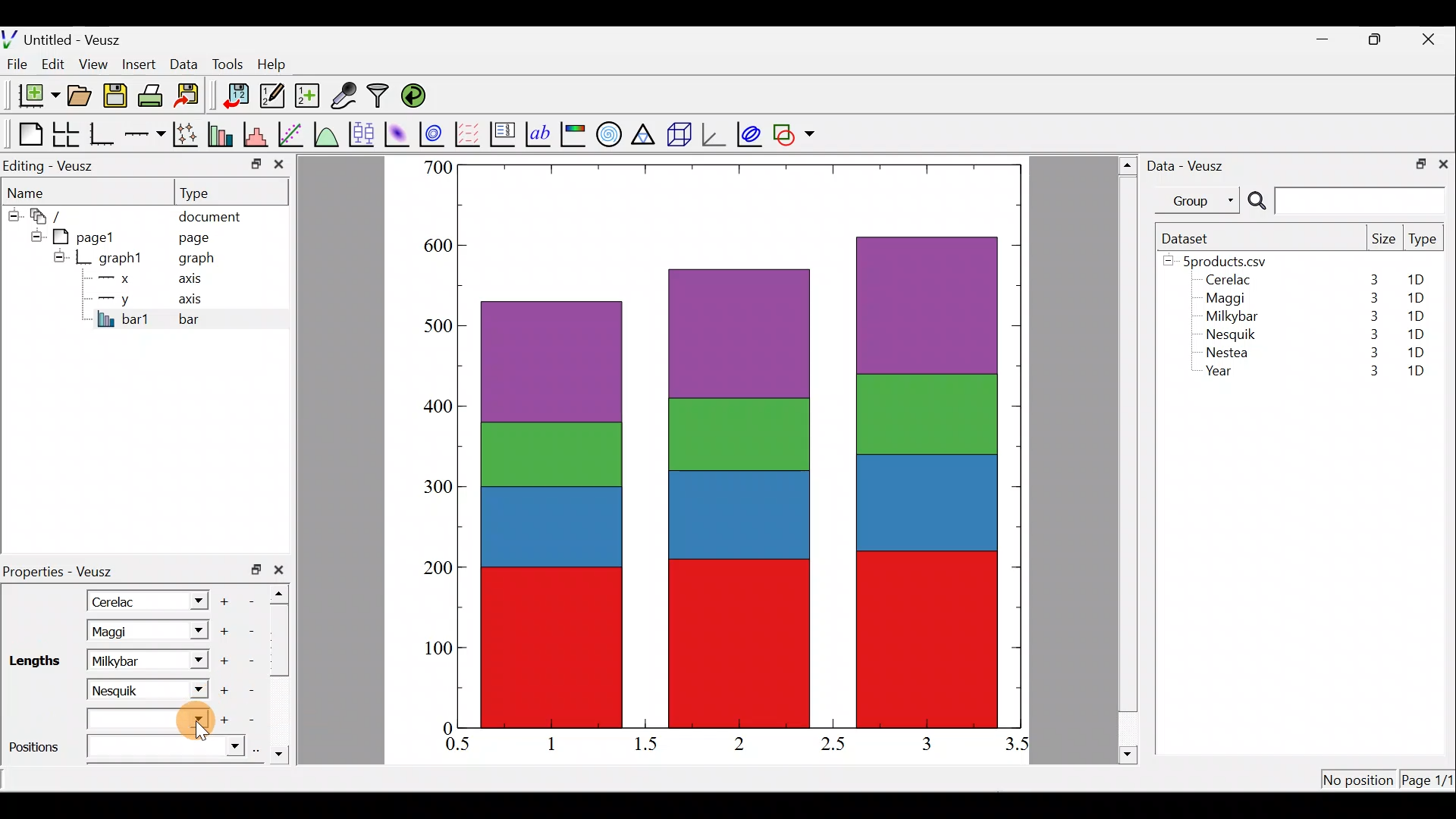 This screenshot has width=1456, height=819. I want to click on Add another item, so click(227, 599).